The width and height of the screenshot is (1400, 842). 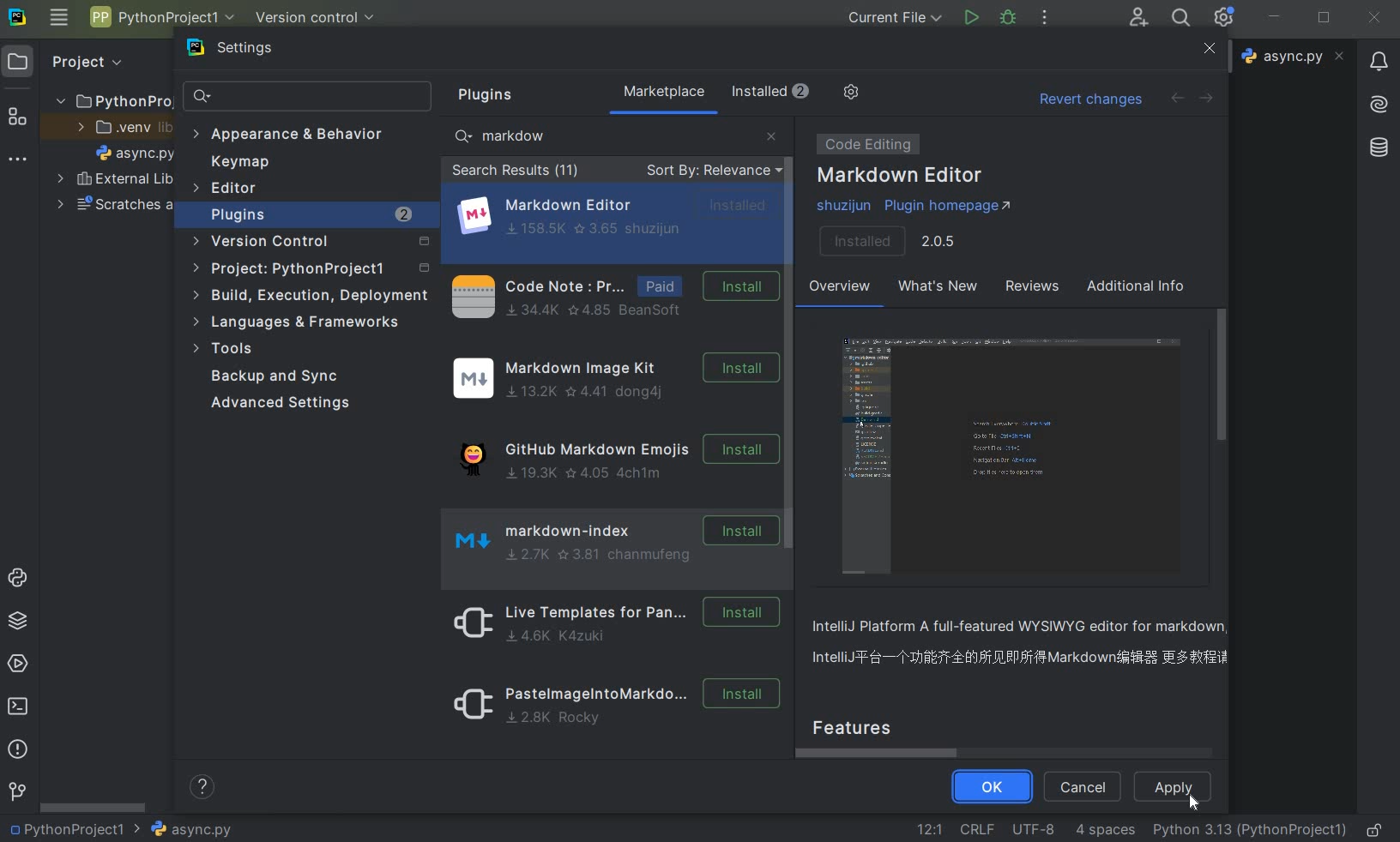 I want to click on keymap, so click(x=237, y=162).